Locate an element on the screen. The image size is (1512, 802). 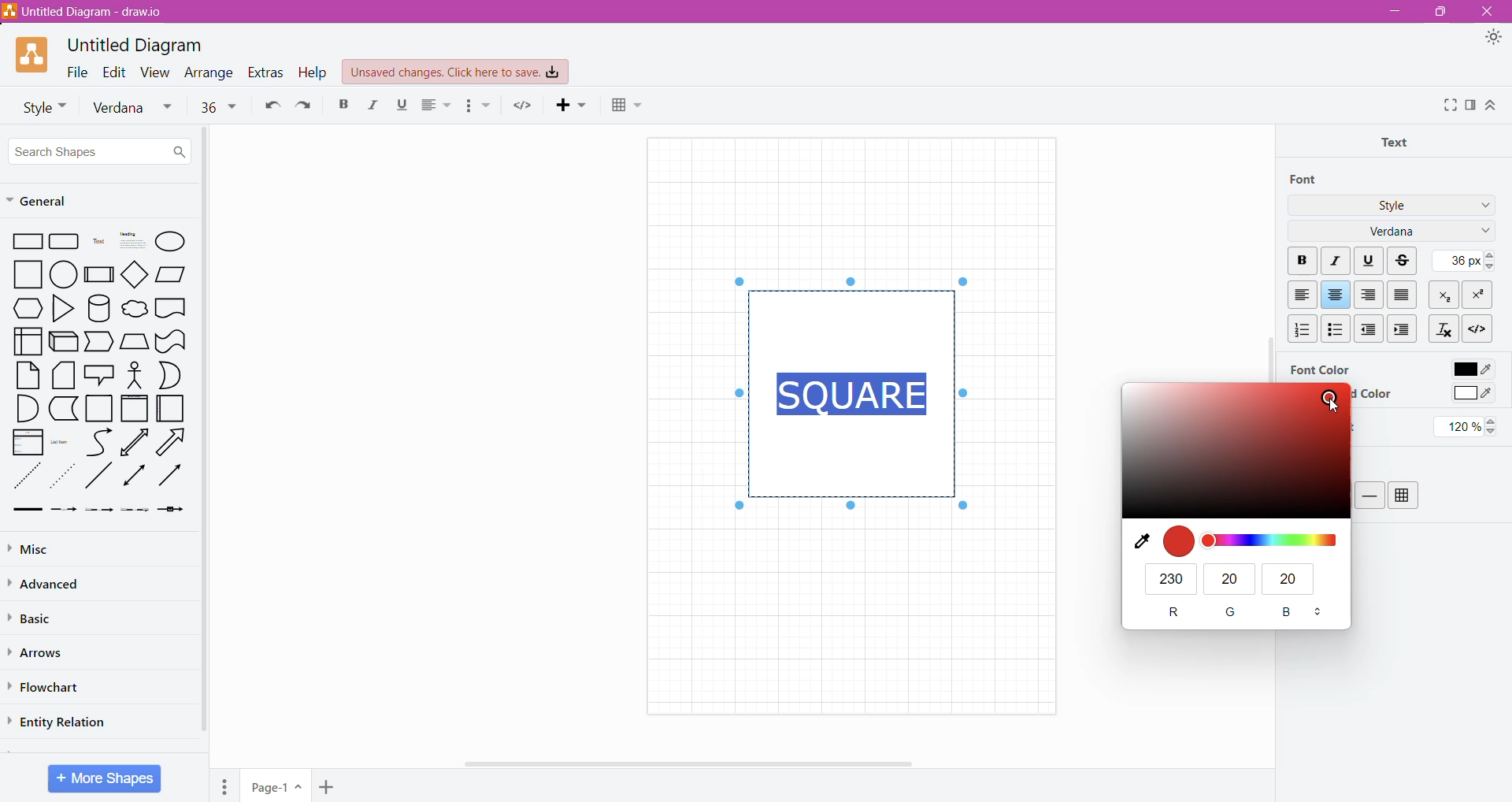
Misc is located at coordinates (47, 547).